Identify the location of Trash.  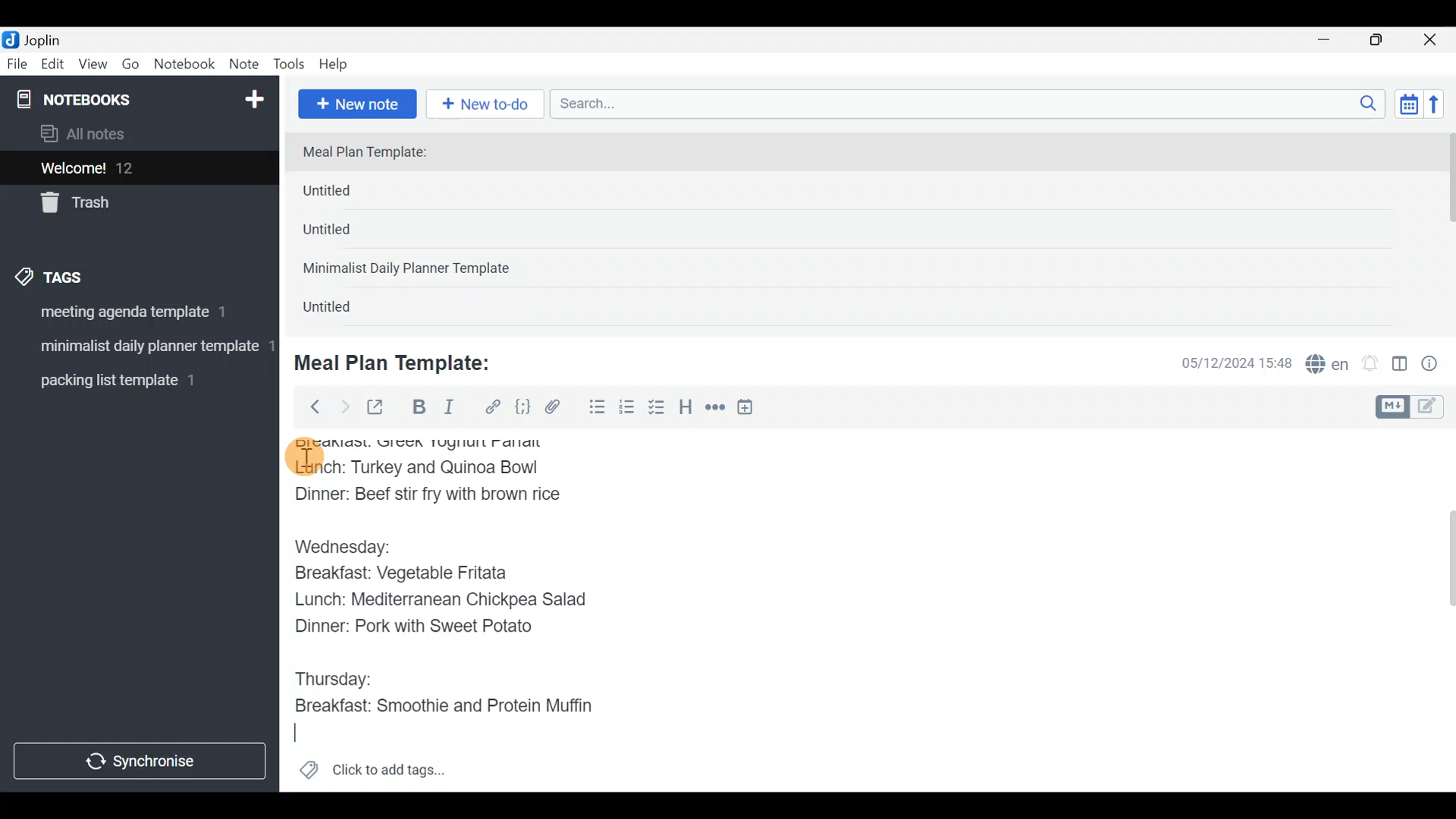
(130, 204).